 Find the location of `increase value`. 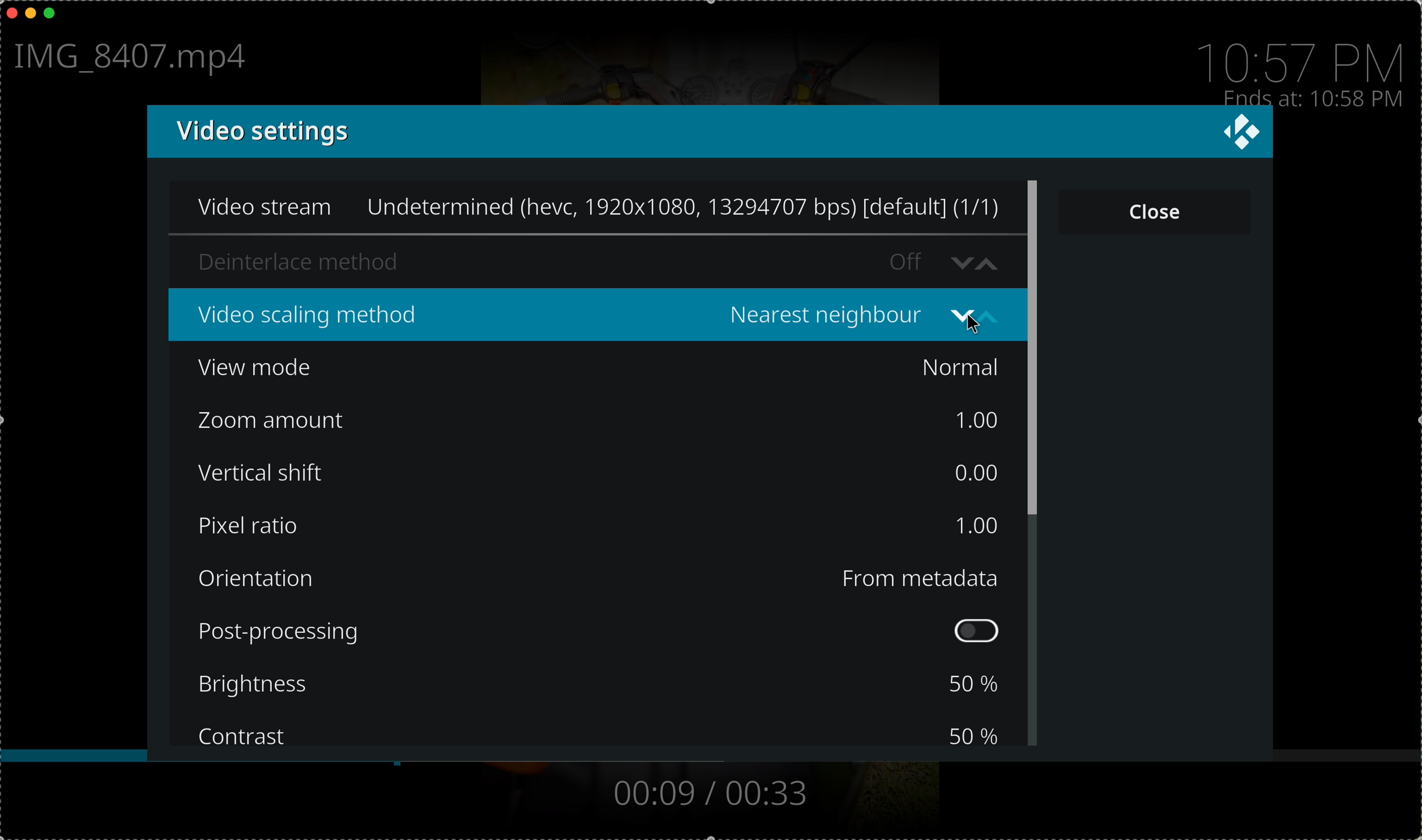

increase value is located at coordinates (993, 260).